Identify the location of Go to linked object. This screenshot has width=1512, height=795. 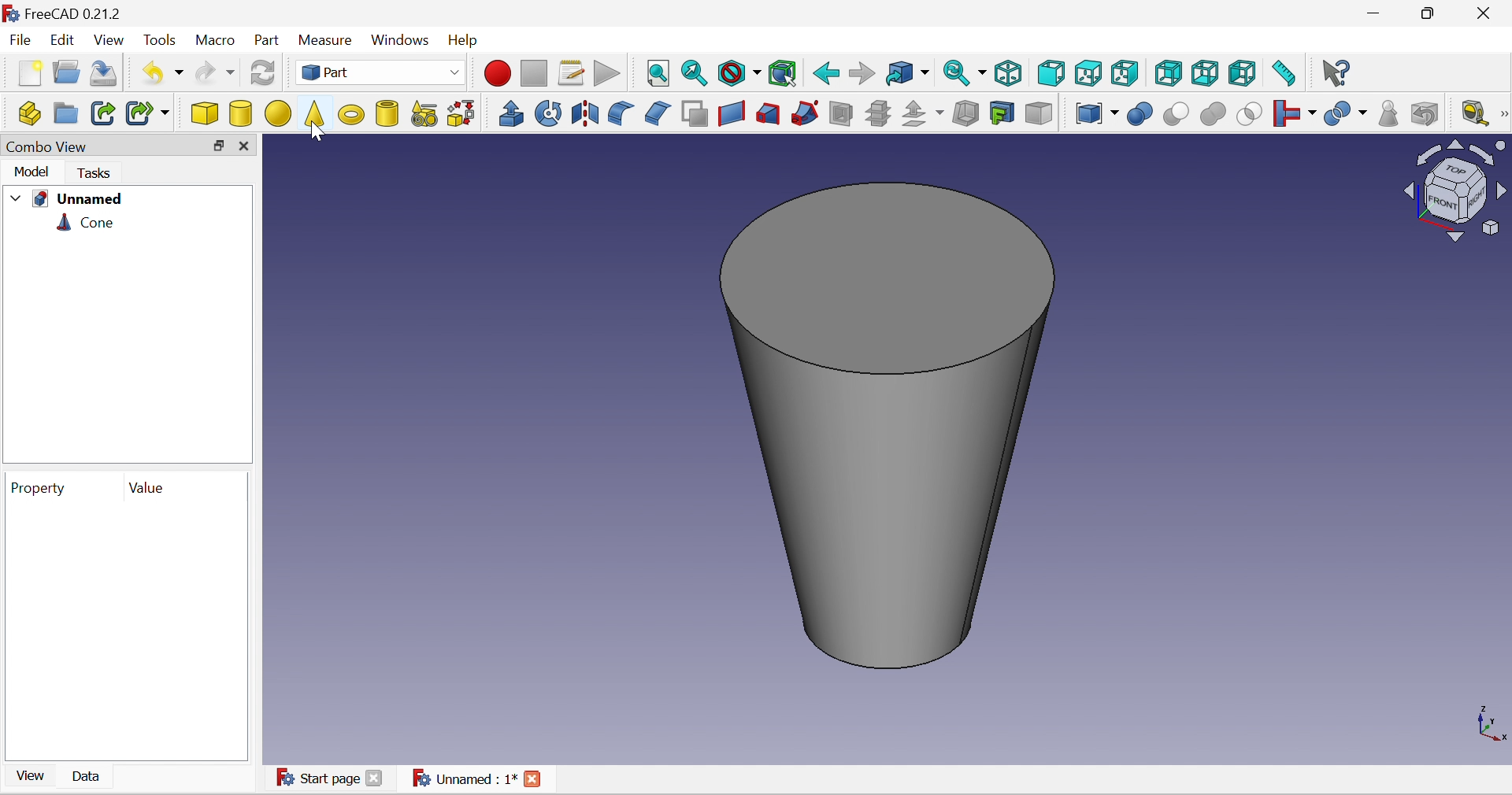
(906, 76).